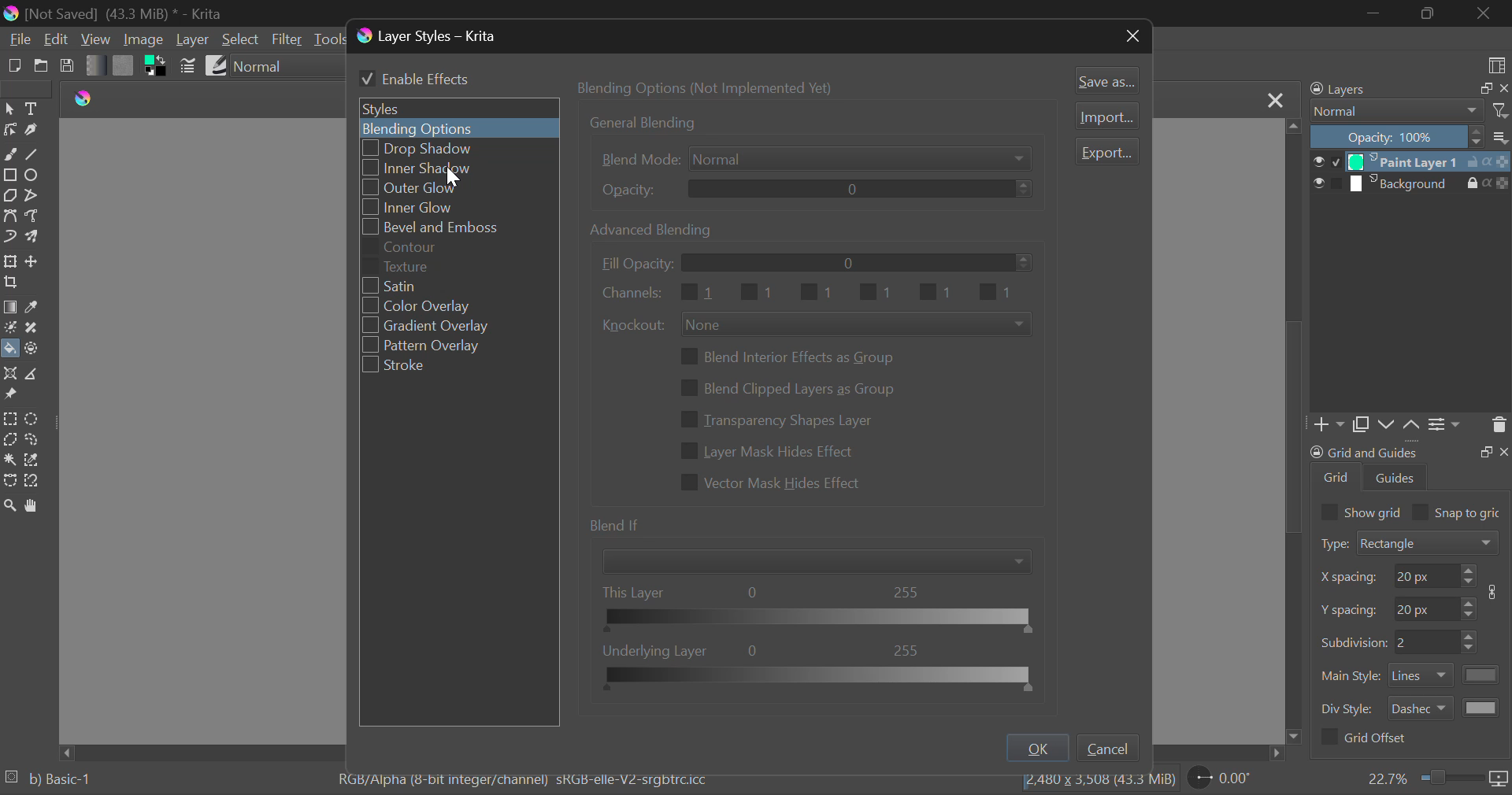 The width and height of the screenshot is (1512, 795). I want to click on Image, so click(141, 40).